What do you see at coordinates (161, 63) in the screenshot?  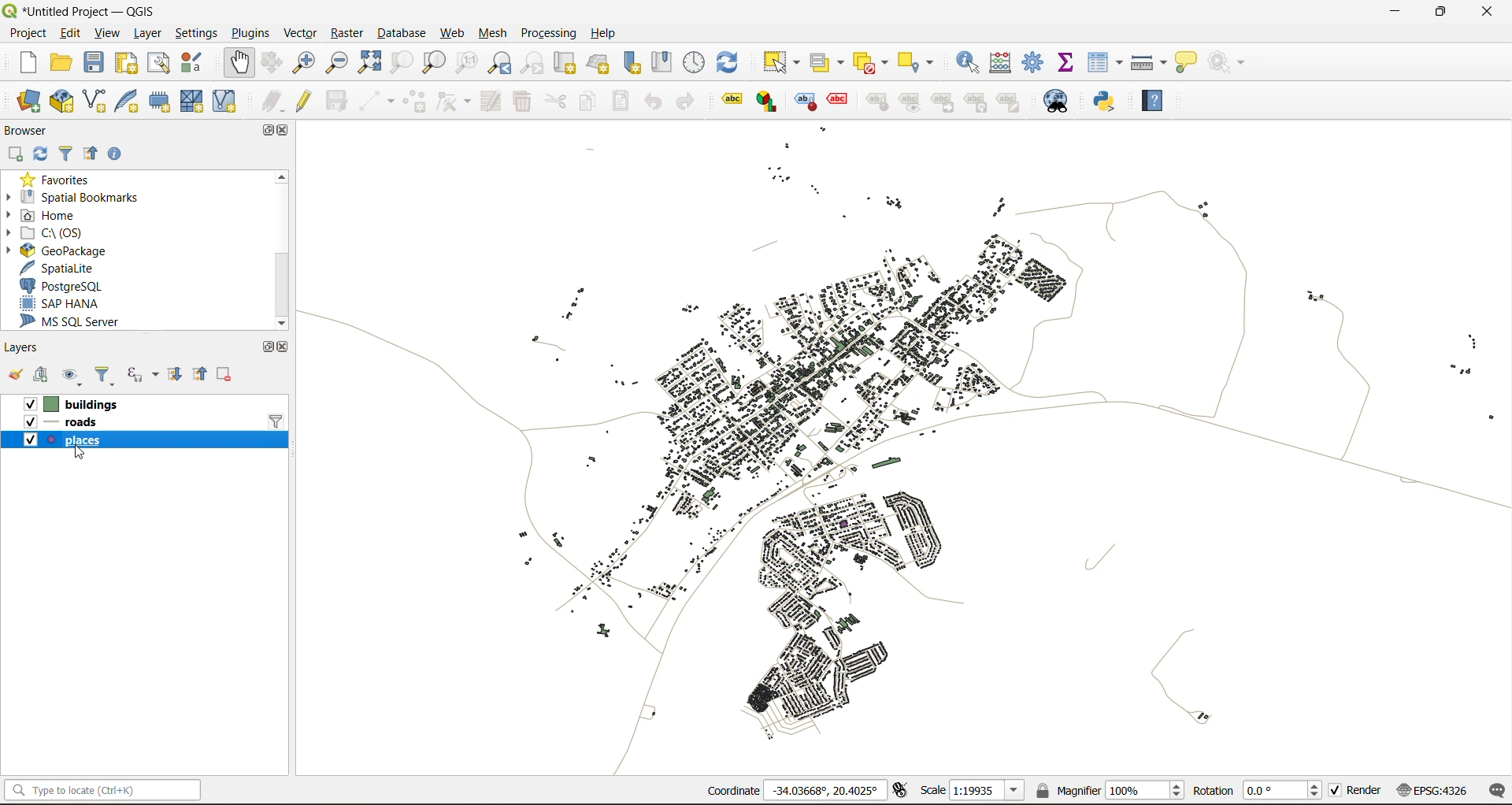 I see `show layout` at bounding box center [161, 63].